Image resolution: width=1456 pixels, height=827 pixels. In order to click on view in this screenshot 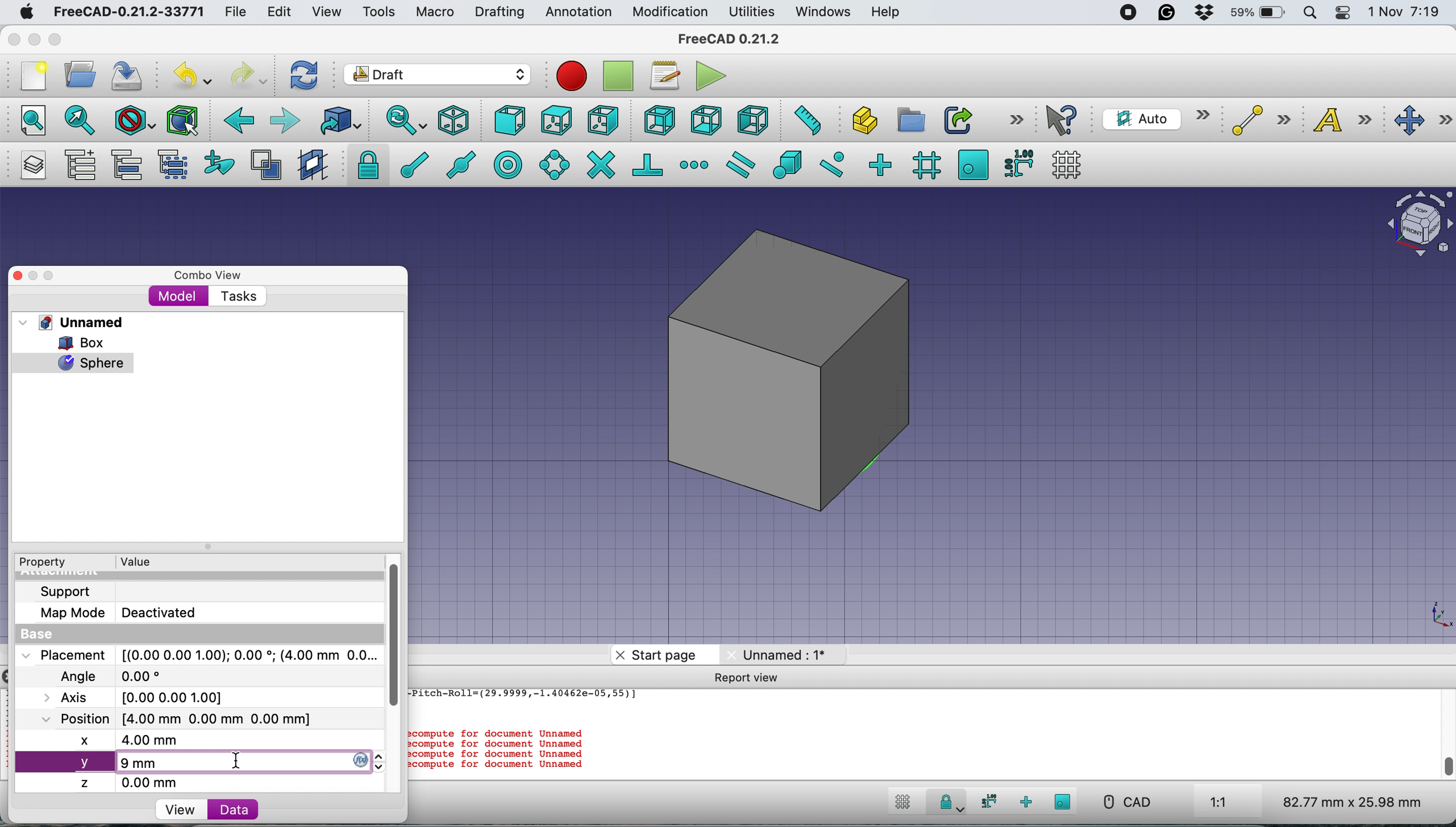, I will do `click(180, 810)`.